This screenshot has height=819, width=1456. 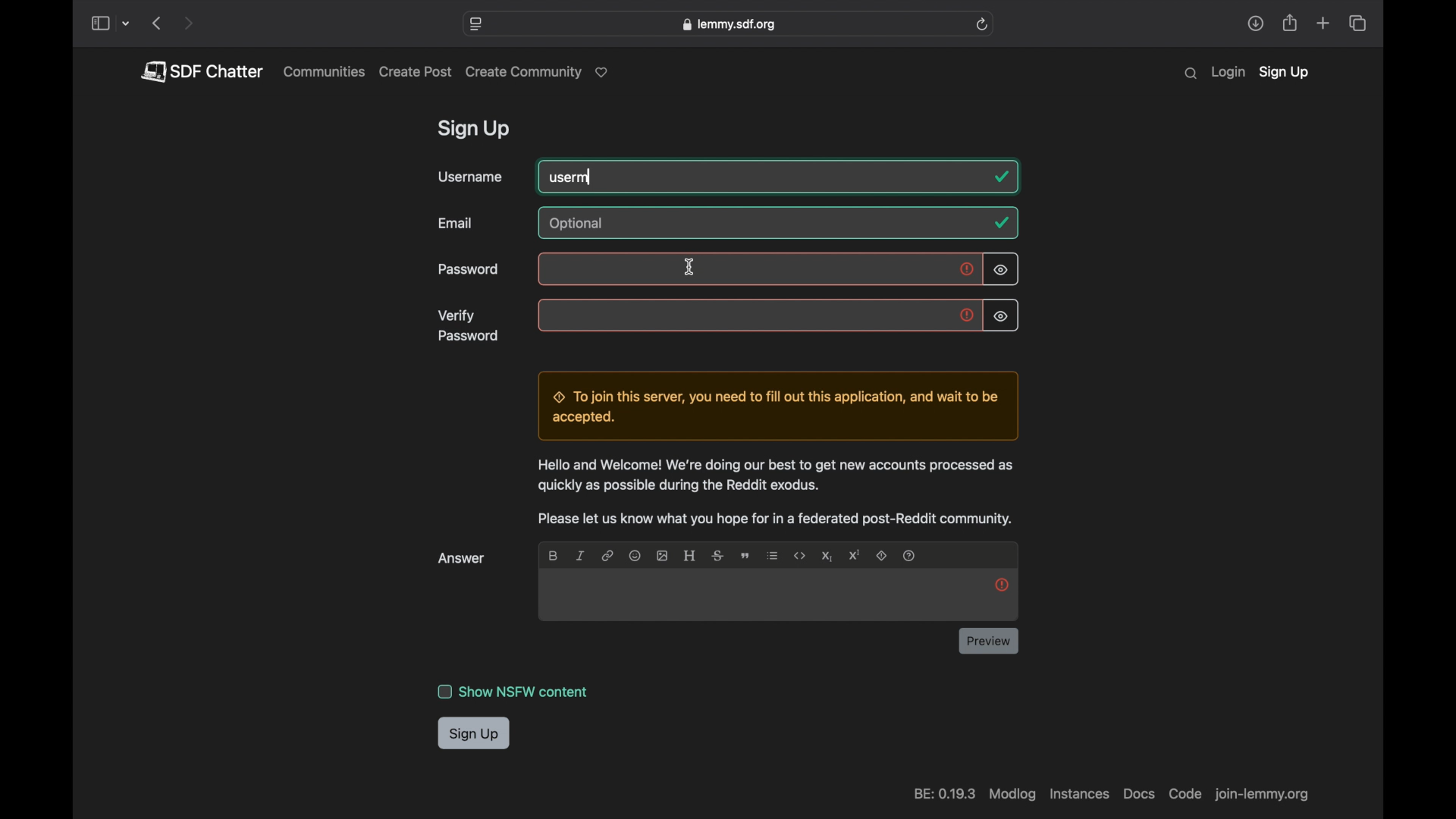 What do you see at coordinates (188, 24) in the screenshot?
I see `next page` at bounding box center [188, 24].